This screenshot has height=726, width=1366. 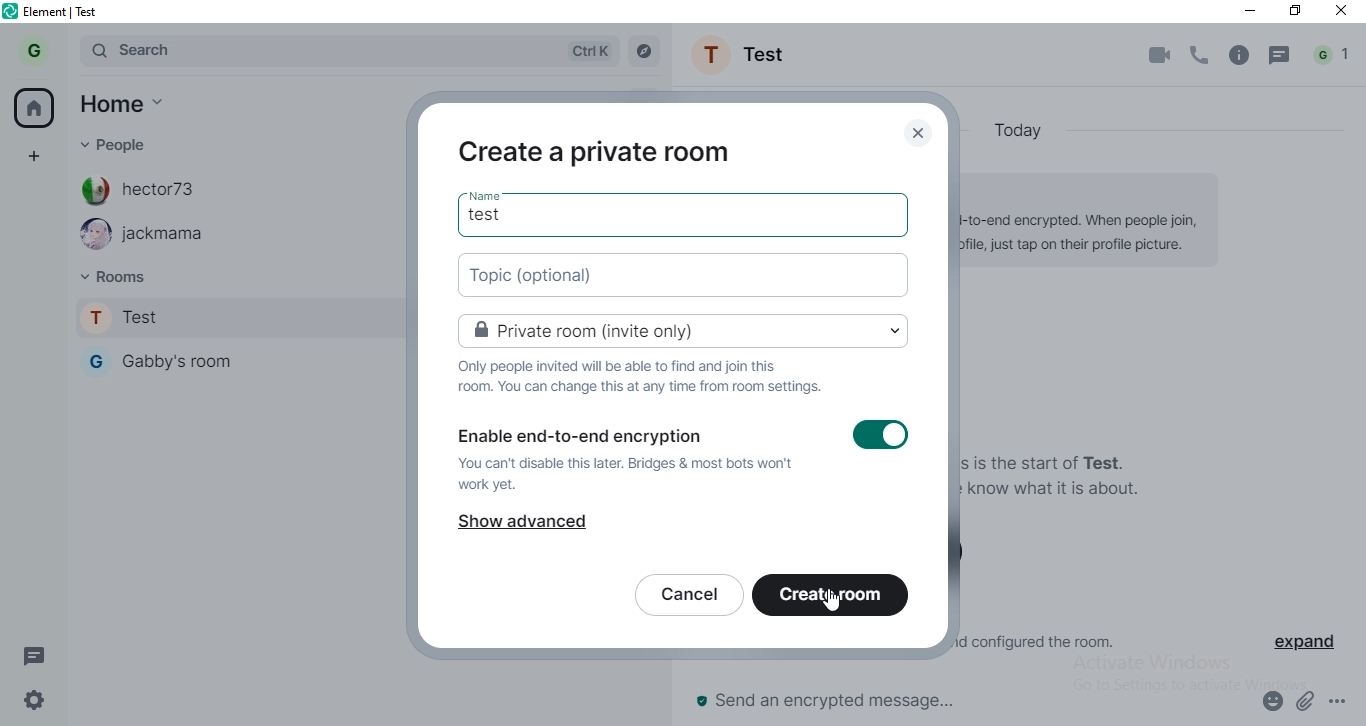 I want to click on cancel, so click(x=686, y=595).